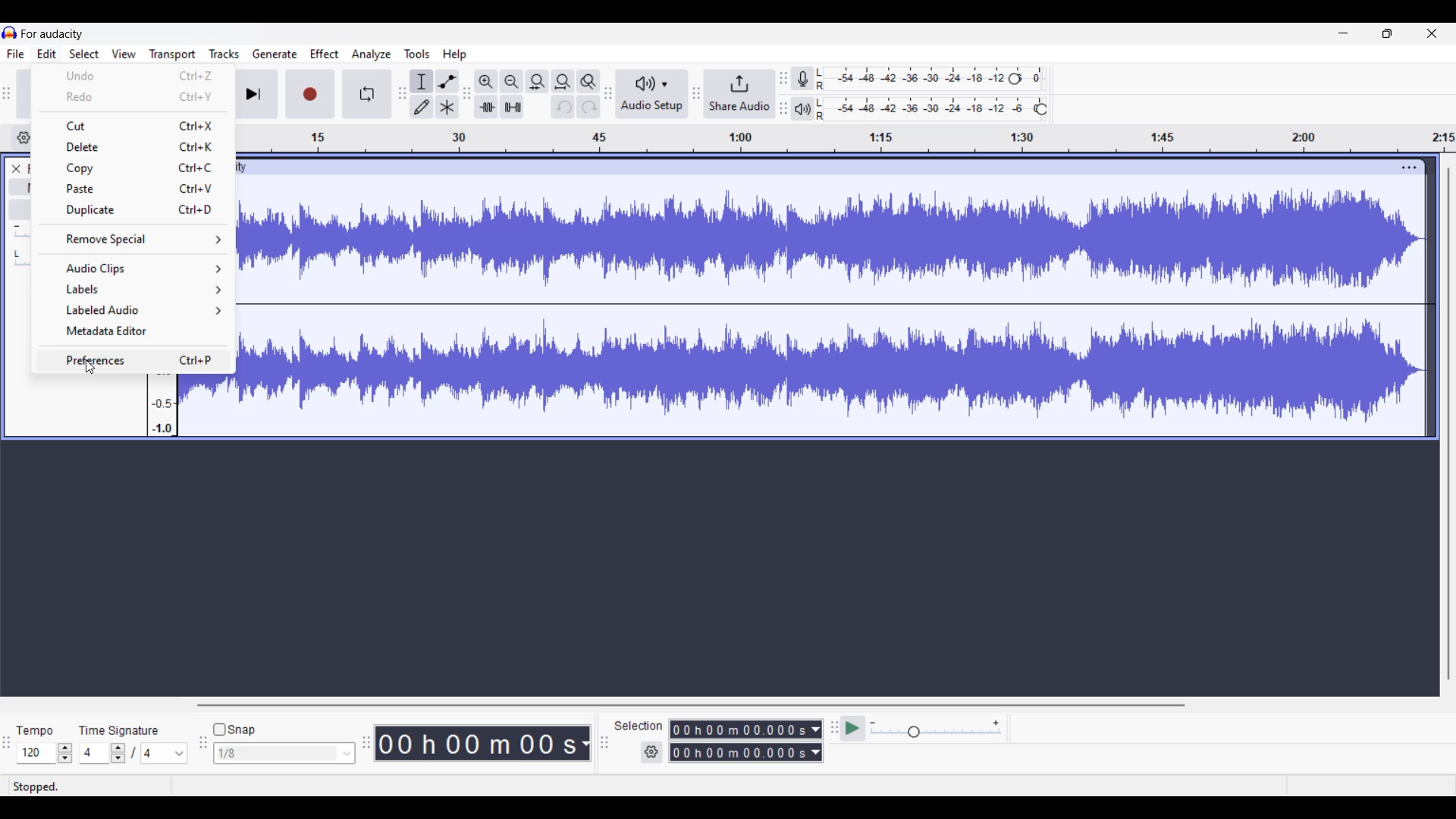 The image size is (1456, 819). I want to click on Transport menu, so click(173, 55).